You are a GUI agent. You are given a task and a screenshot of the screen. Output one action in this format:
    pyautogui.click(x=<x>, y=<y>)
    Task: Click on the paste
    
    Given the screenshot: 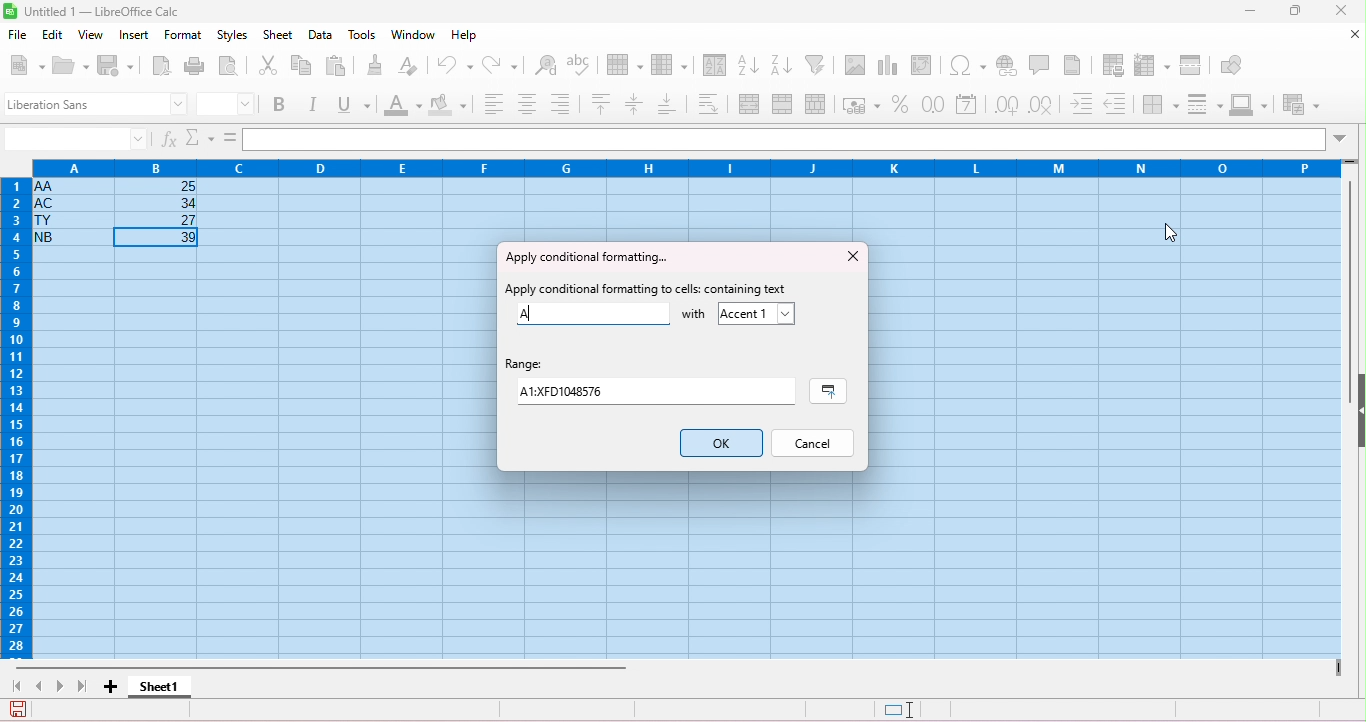 What is the action you would take?
    pyautogui.click(x=336, y=65)
    